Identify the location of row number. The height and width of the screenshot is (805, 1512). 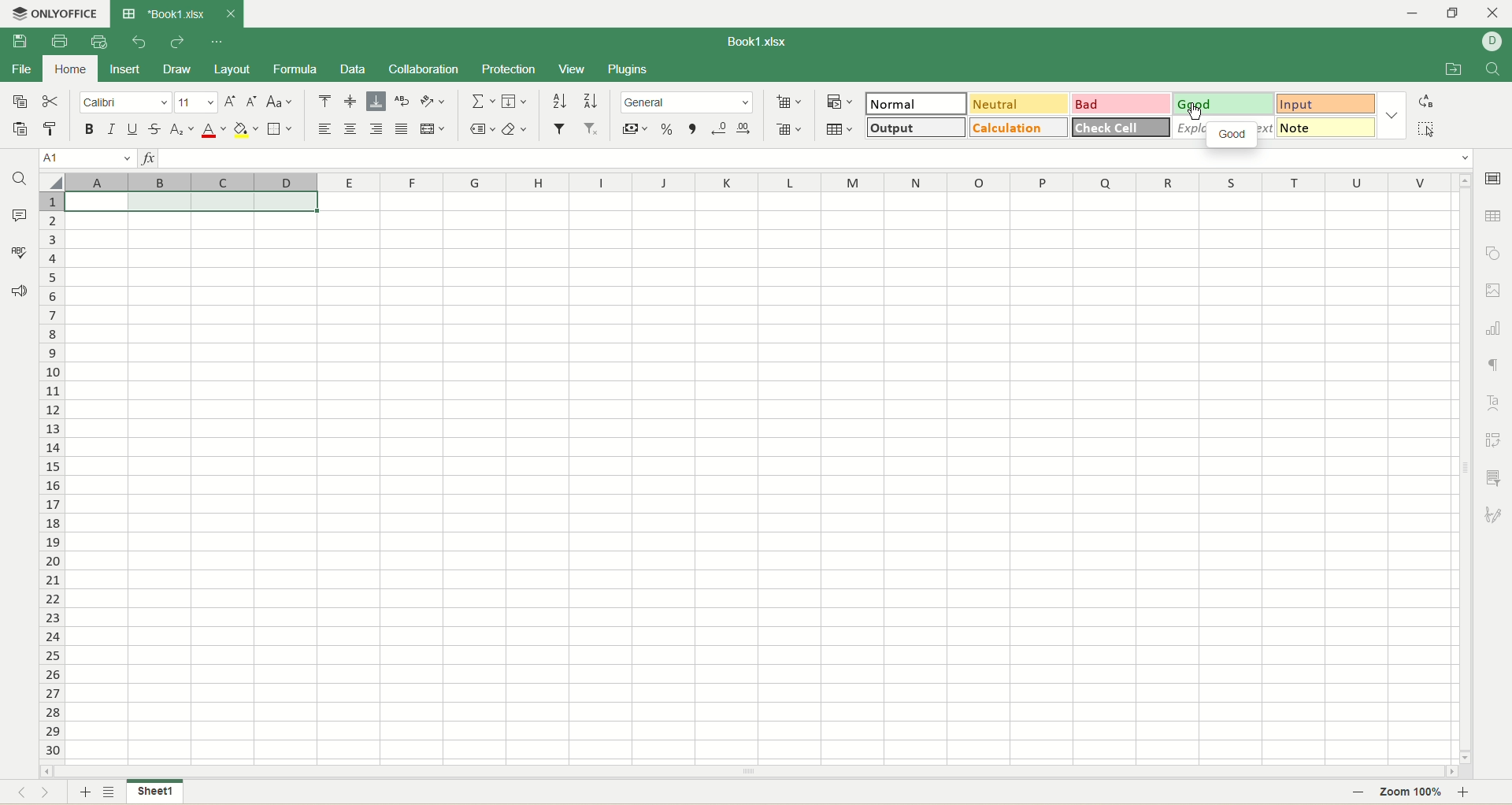
(50, 476).